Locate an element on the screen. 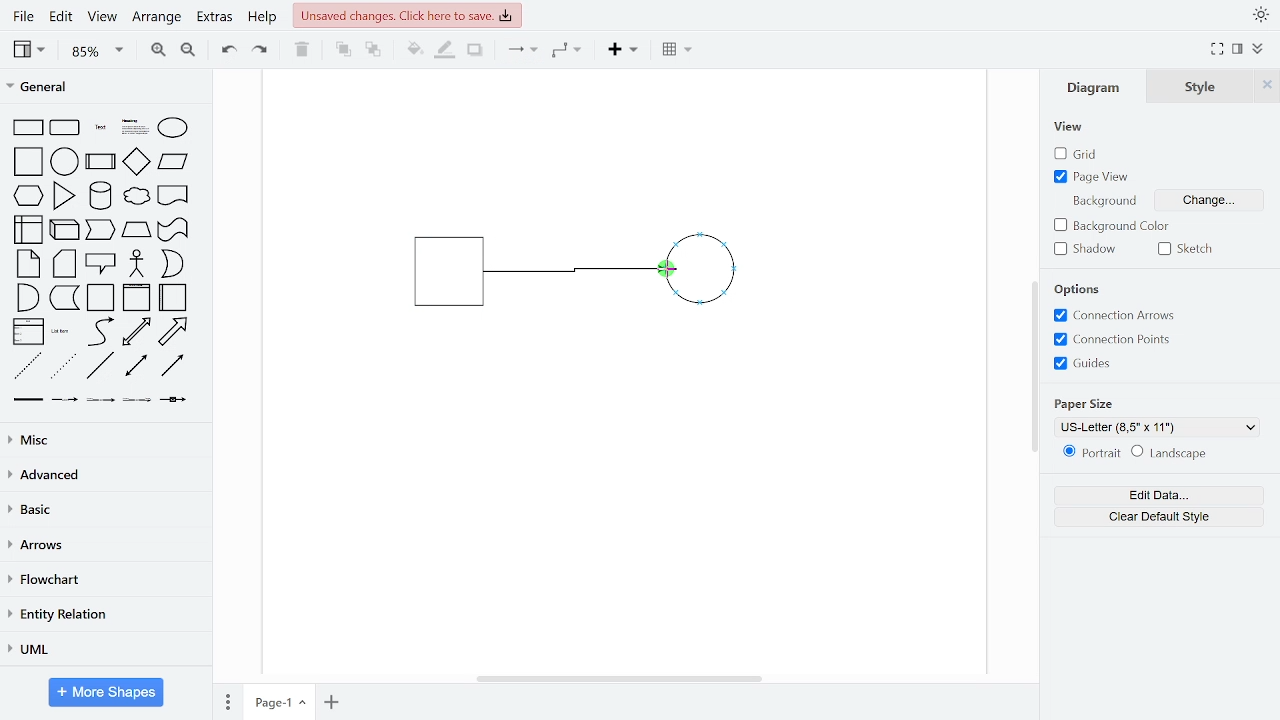 This screenshot has width=1280, height=720. add page is located at coordinates (332, 702).